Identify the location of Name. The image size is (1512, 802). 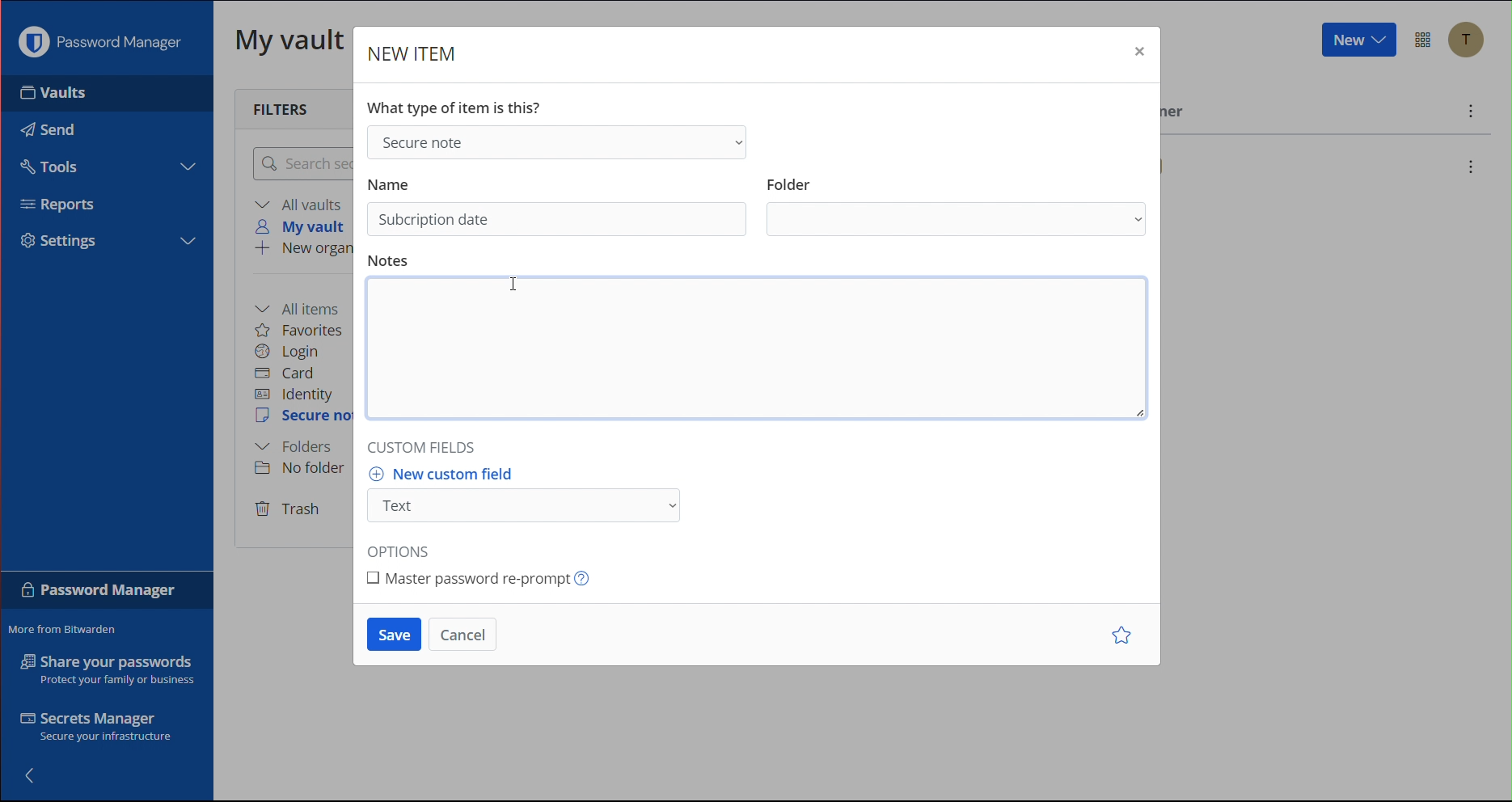
(390, 182).